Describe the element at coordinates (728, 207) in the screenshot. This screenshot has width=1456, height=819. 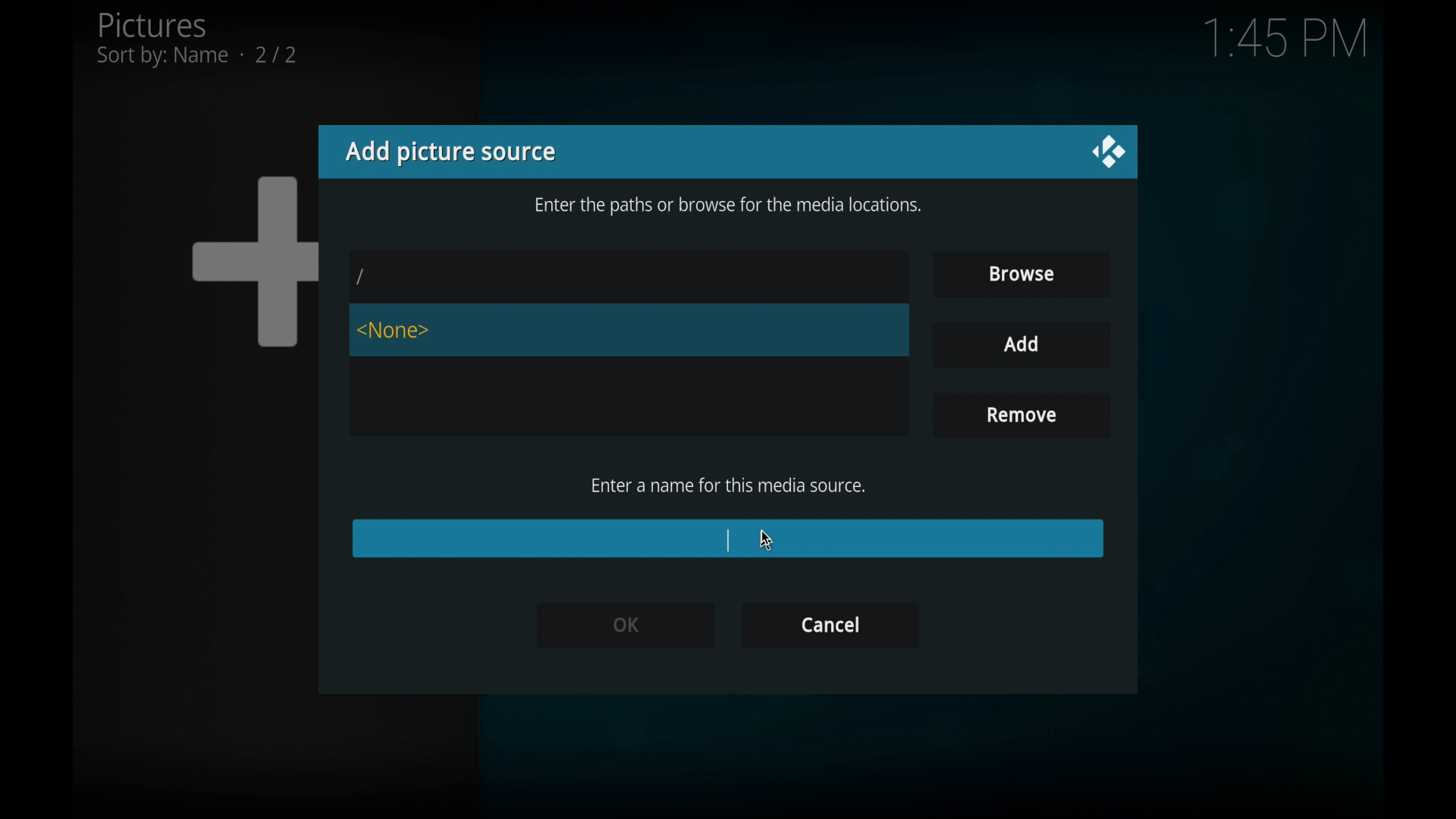
I see `info` at that location.